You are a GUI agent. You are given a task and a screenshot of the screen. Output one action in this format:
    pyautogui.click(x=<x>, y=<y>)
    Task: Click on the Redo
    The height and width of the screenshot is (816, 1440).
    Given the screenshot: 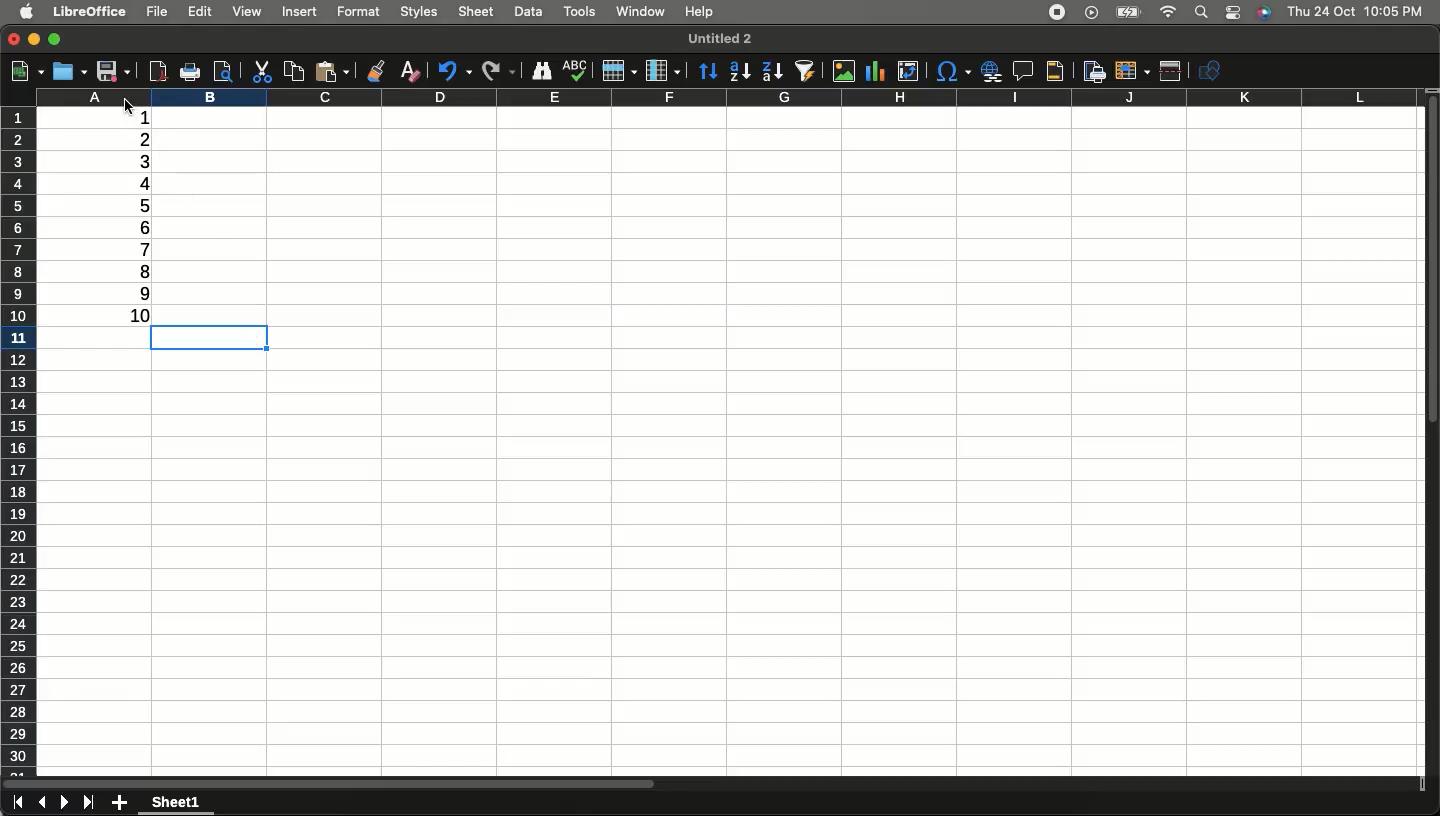 What is the action you would take?
    pyautogui.click(x=498, y=69)
    